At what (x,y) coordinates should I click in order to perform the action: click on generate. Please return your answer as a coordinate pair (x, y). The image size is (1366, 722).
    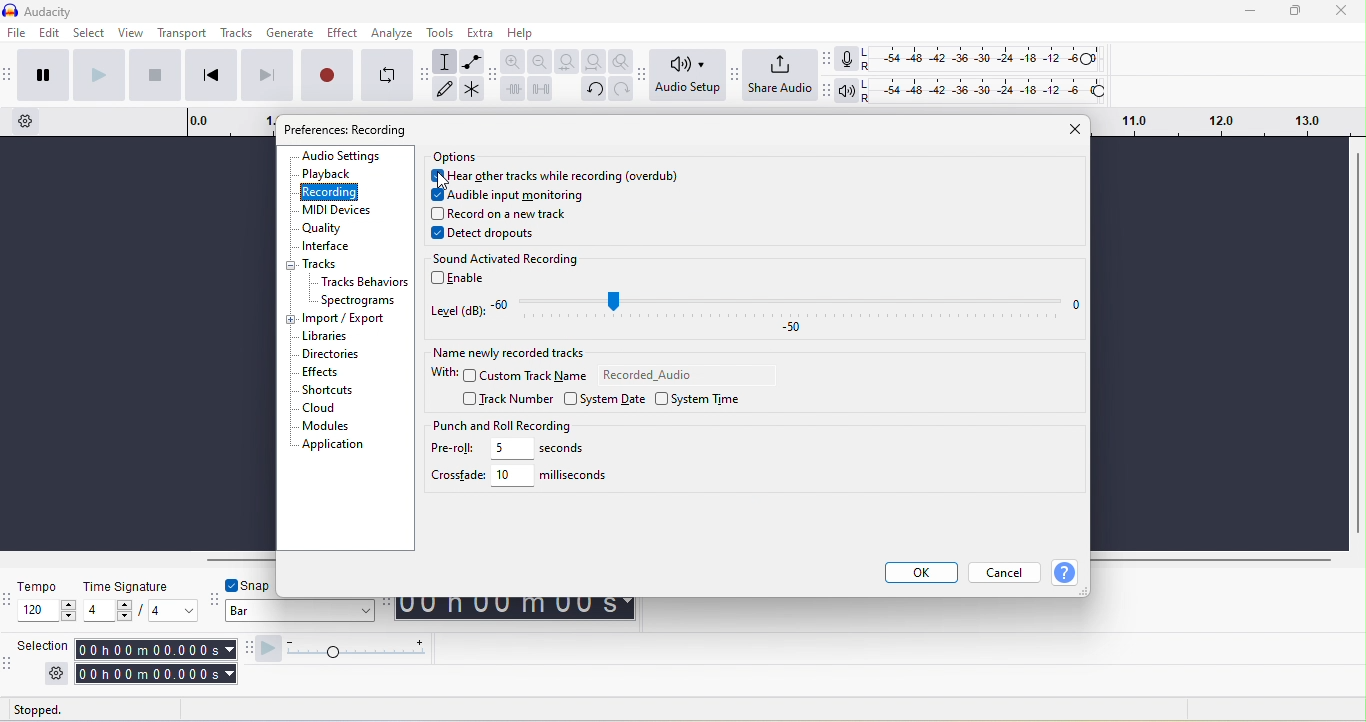
    Looking at the image, I should click on (287, 34).